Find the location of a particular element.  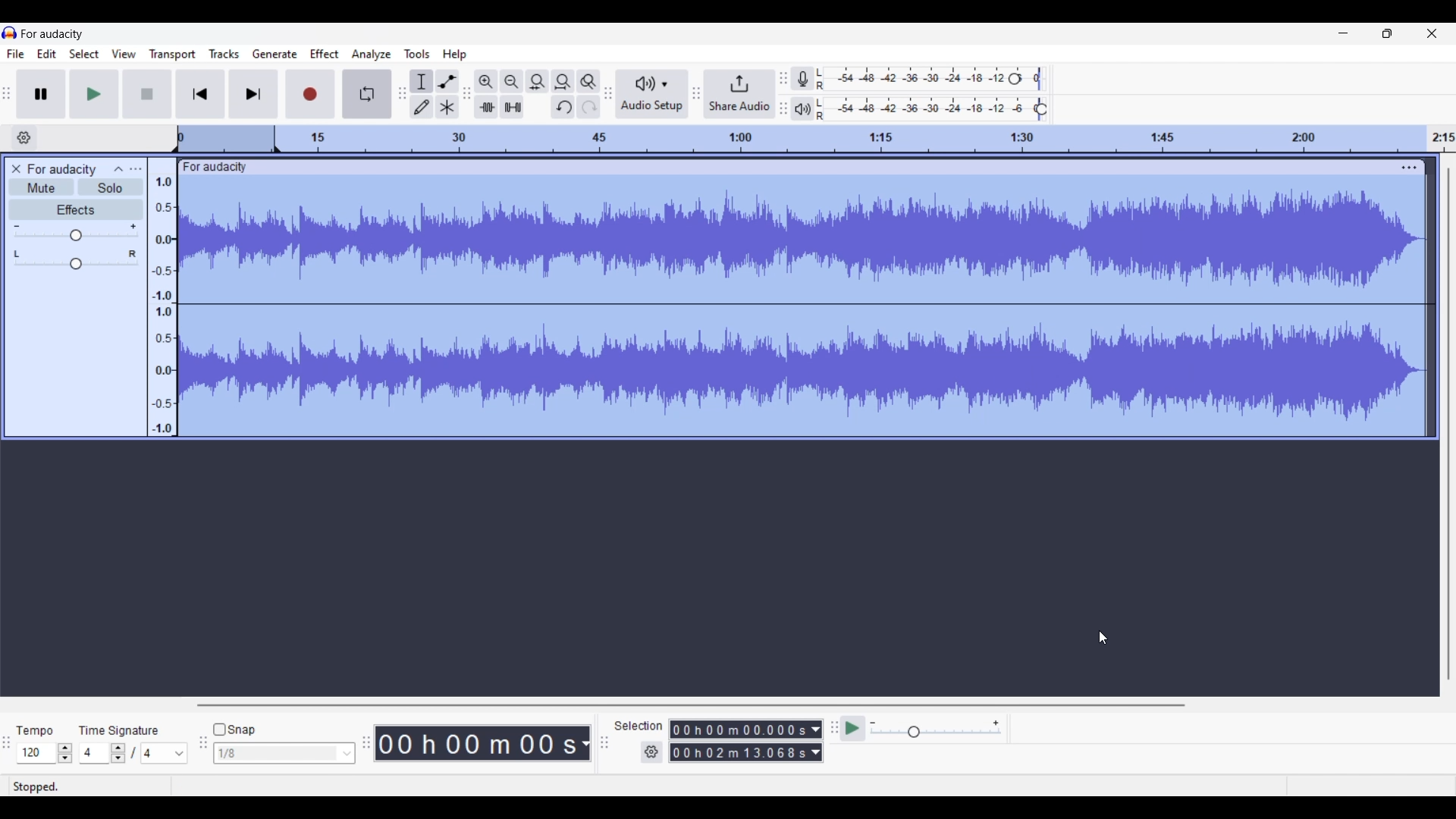

Min. gain is located at coordinates (17, 226).